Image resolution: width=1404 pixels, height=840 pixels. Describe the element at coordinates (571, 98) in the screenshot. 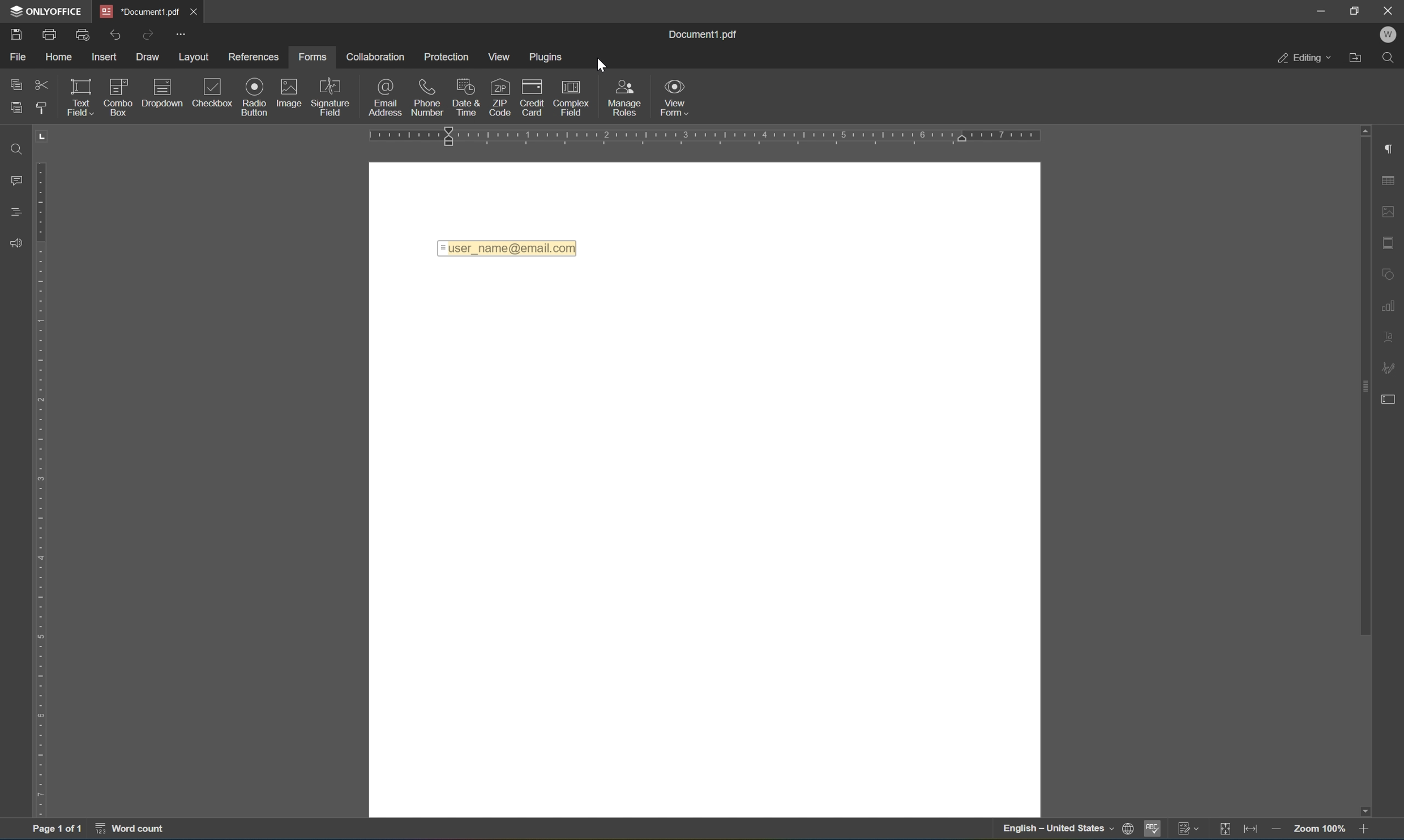

I see `complex field` at that location.